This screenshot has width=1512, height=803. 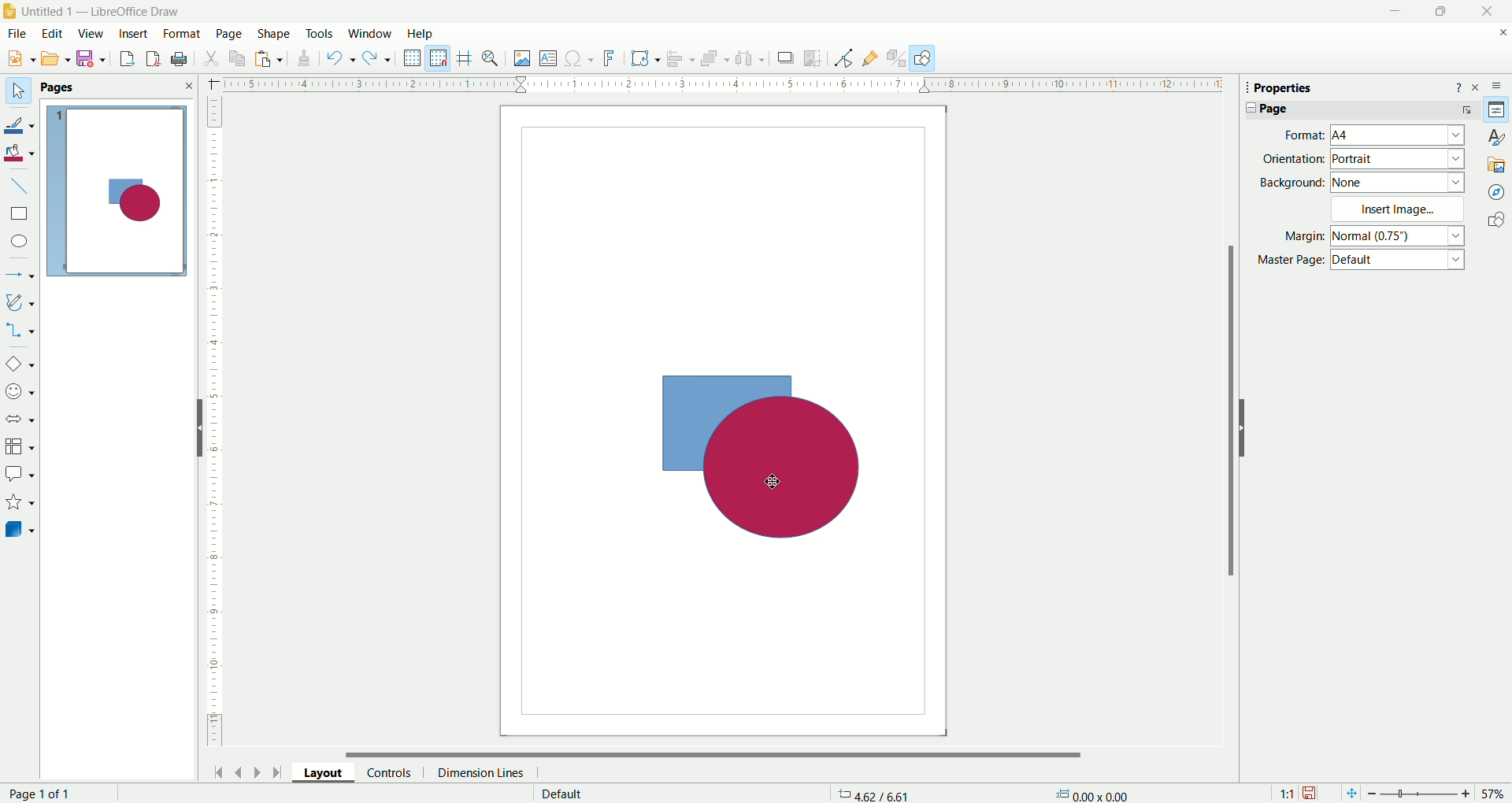 What do you see at coordinates (21, 531) in the screenshot?
I see `3D objects` at bounding box center [21, 531].